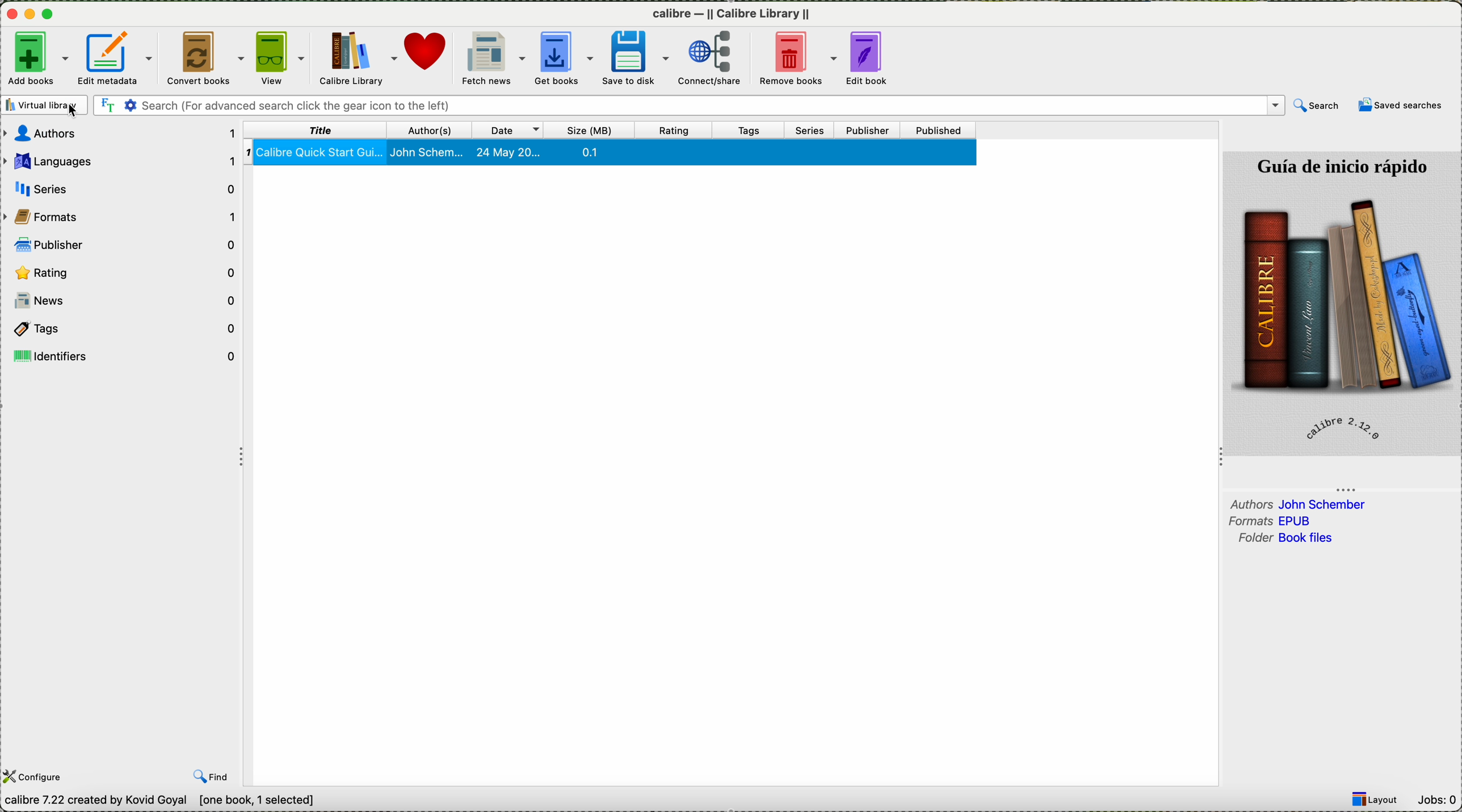 The width and height of the screenshot is (1462, 812). Describe the element at coordinates (510, 129) in the screenshot. I see `date` at that location.